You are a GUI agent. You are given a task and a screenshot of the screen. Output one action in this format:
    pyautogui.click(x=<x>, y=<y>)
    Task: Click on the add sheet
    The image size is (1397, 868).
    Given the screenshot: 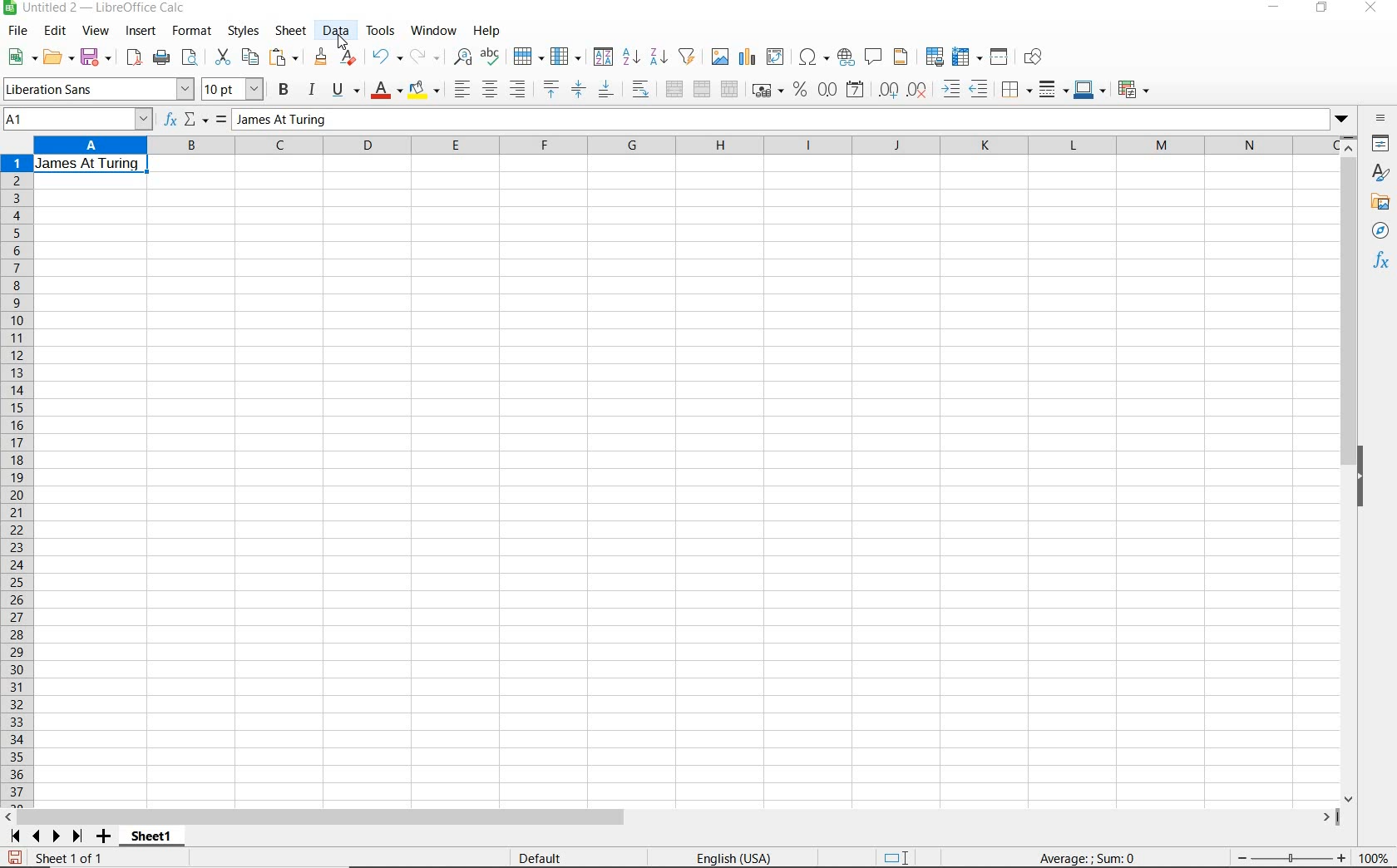 What is the action you would take?
    pyautogui.click(x=101, y=837)
    